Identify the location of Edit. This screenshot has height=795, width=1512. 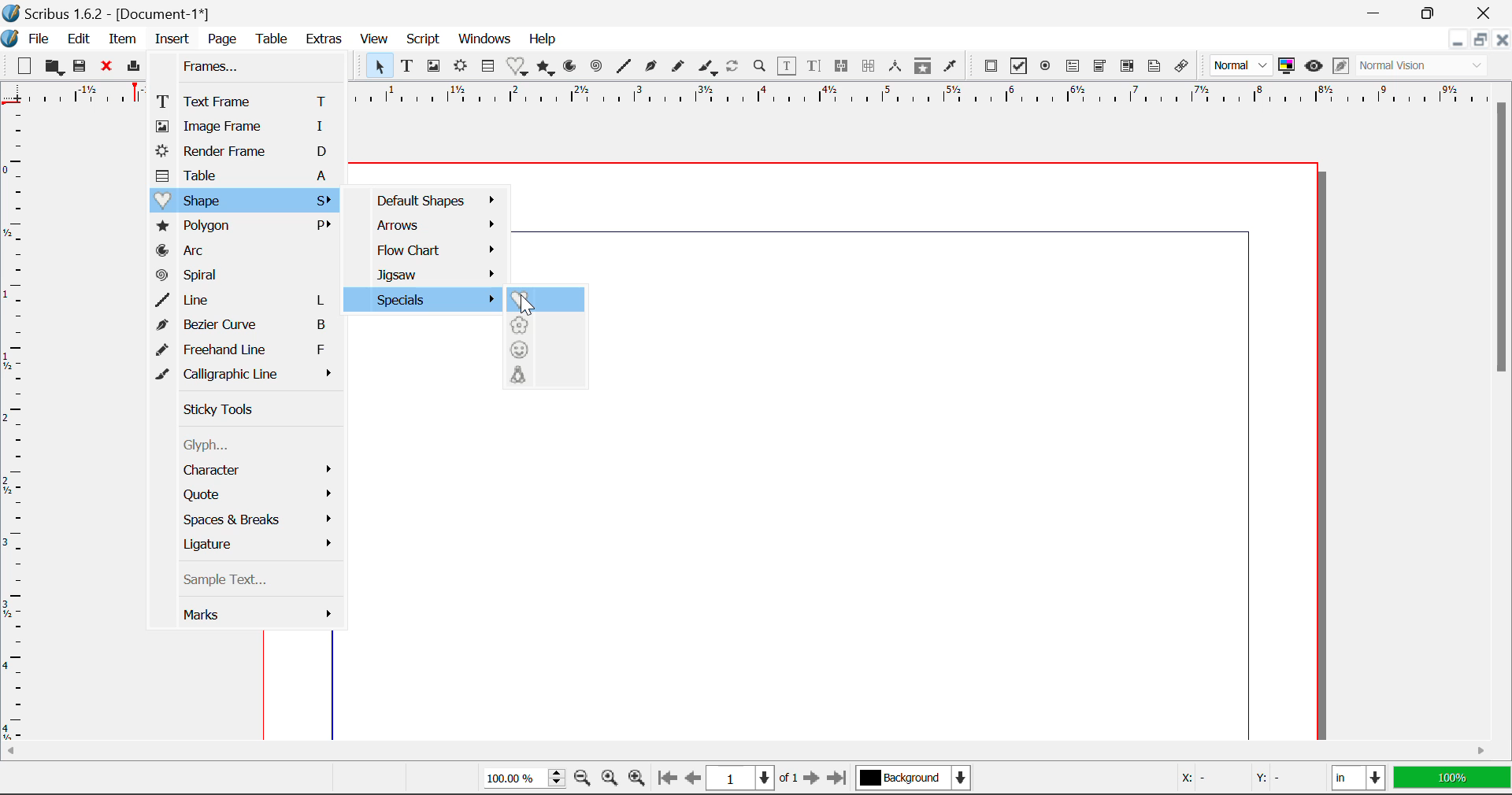
(79, 39).